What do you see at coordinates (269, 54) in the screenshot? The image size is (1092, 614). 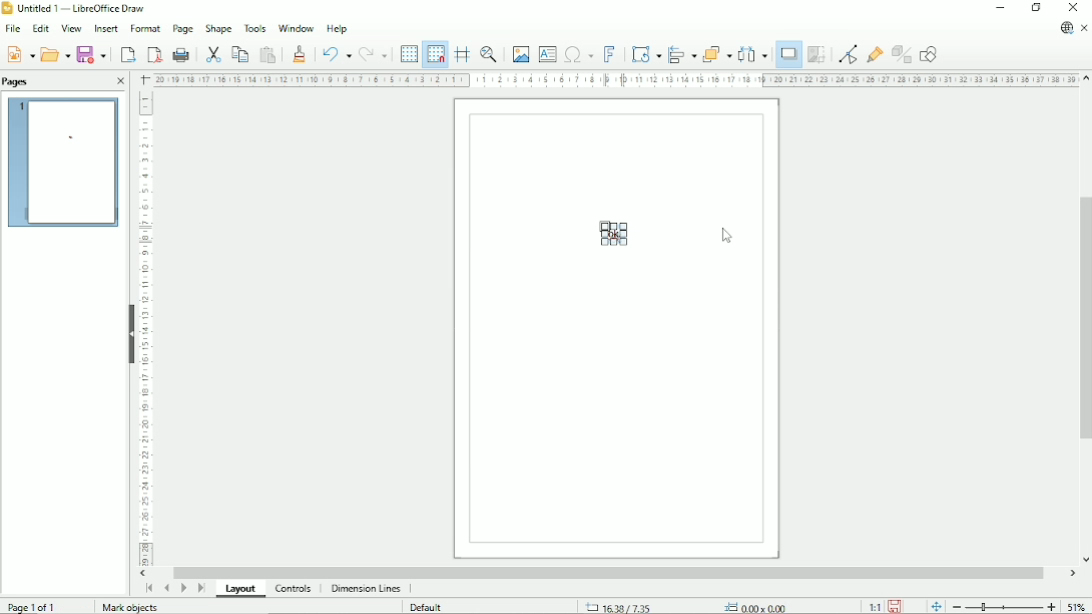 I see `Paste` at bounding box center [269, 54].